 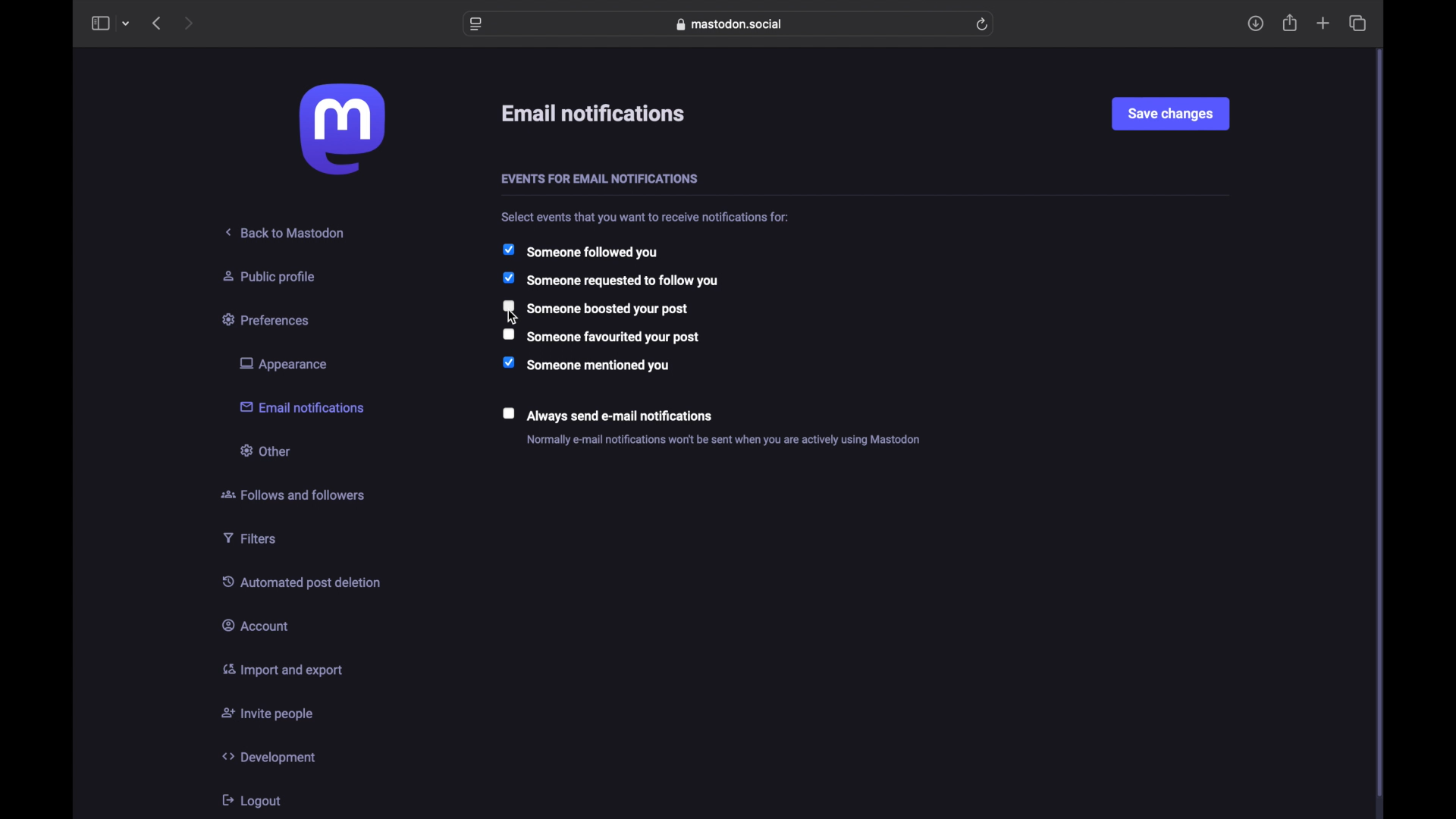 I want to click on checkbox, so click(x=579, y=251).